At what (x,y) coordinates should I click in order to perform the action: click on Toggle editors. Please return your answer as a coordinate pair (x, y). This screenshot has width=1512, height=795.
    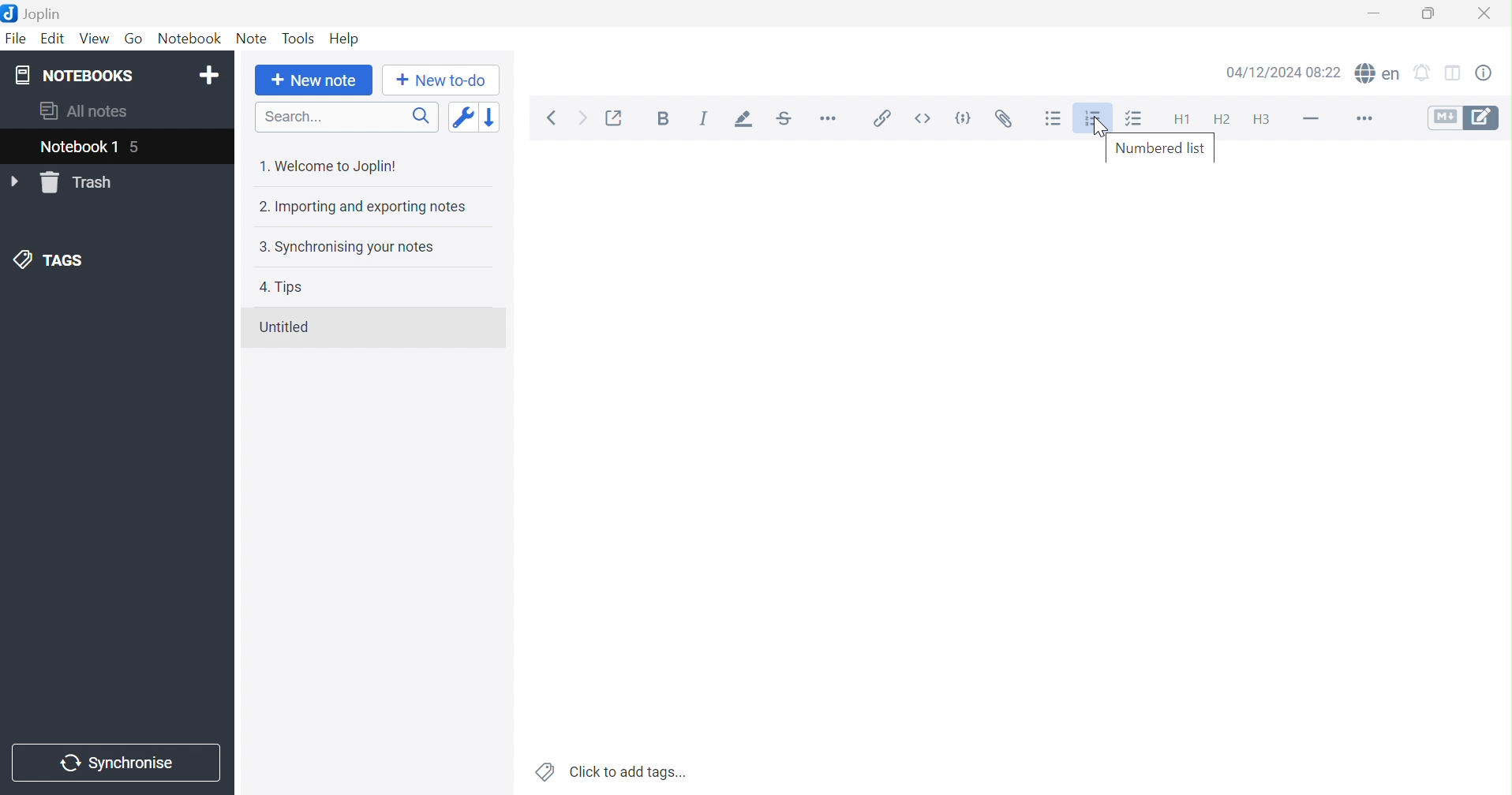
    Looking at the image, I should click on (1463, 117).